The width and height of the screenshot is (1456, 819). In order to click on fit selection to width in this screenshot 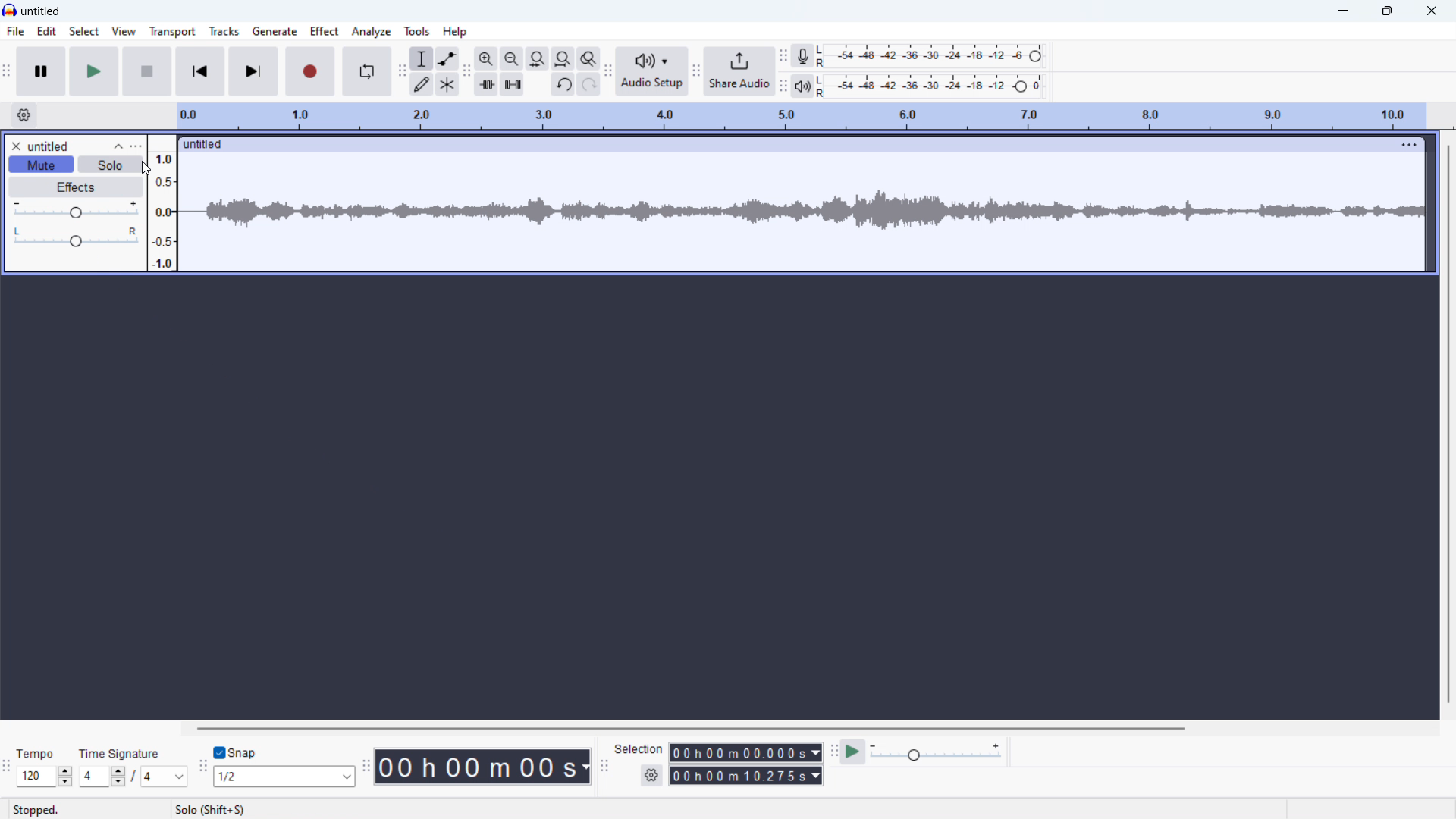, I will do `click(538, 59)`.